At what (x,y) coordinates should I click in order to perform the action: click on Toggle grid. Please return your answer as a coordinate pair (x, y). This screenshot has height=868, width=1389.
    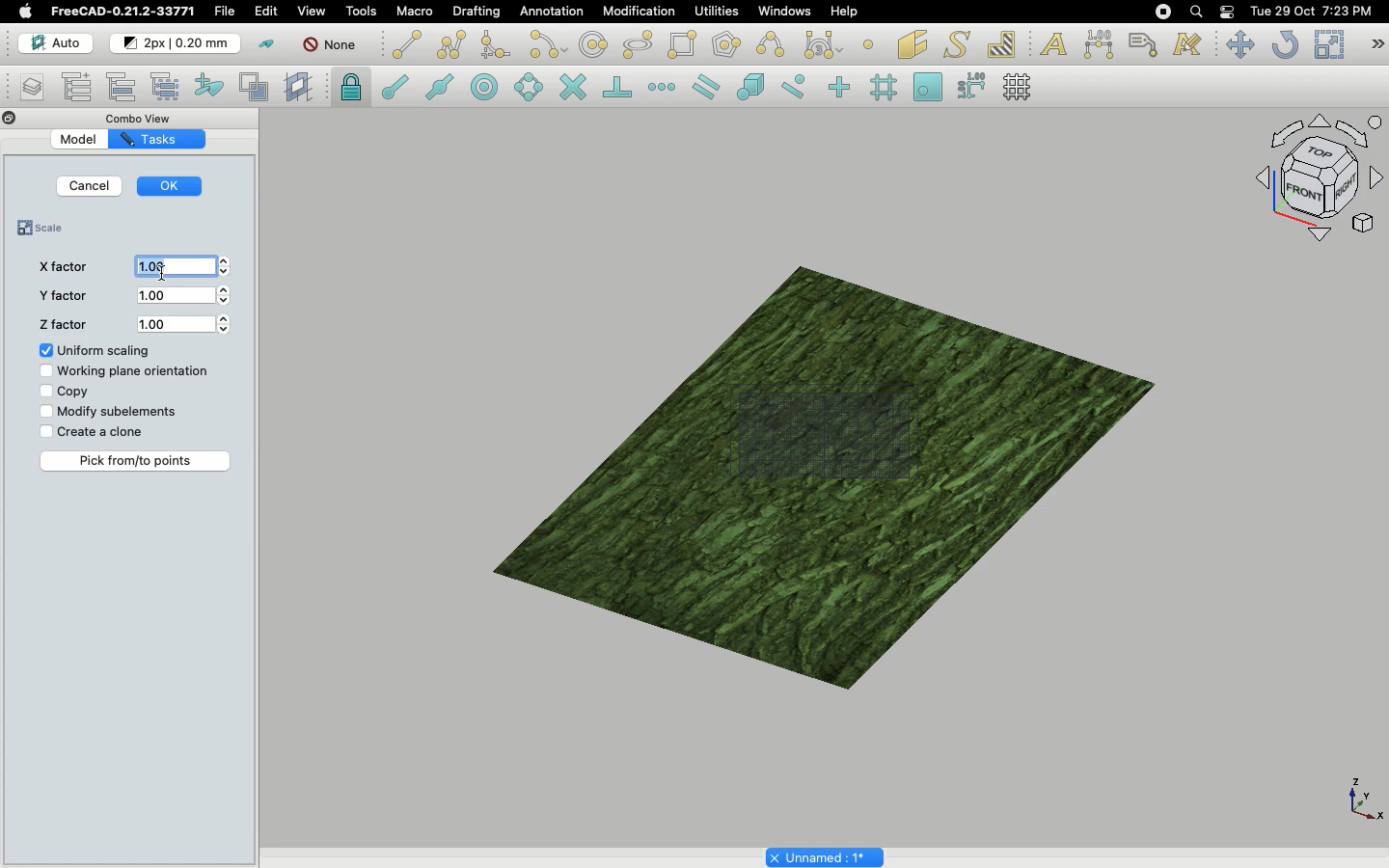
    Looking at the image, I should click on (1023, 87).